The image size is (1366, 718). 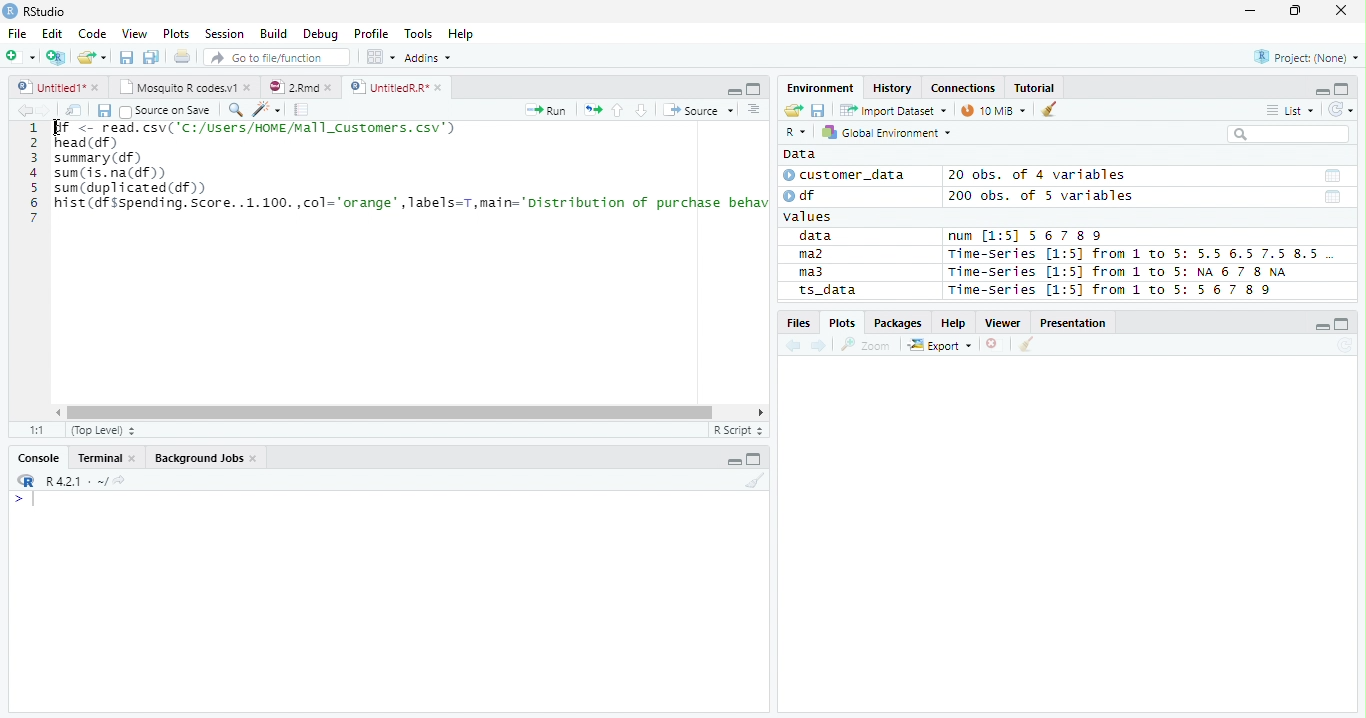 What do you see at coordinates (413, 176) in the screenshot?
I see `ie. <~ FEAR. CSVL 'CL/ USEFI / NINE /aT LENT InerS. Cov)

ead (df)

summary (df)

sun (is. na(df))

sum(duplicated(df))

hist (df Sspending. Score. .1.100. ,col="orange" , Tabels=T,main="Distribution of purchase behav
|` at bounding box center [413, 176].